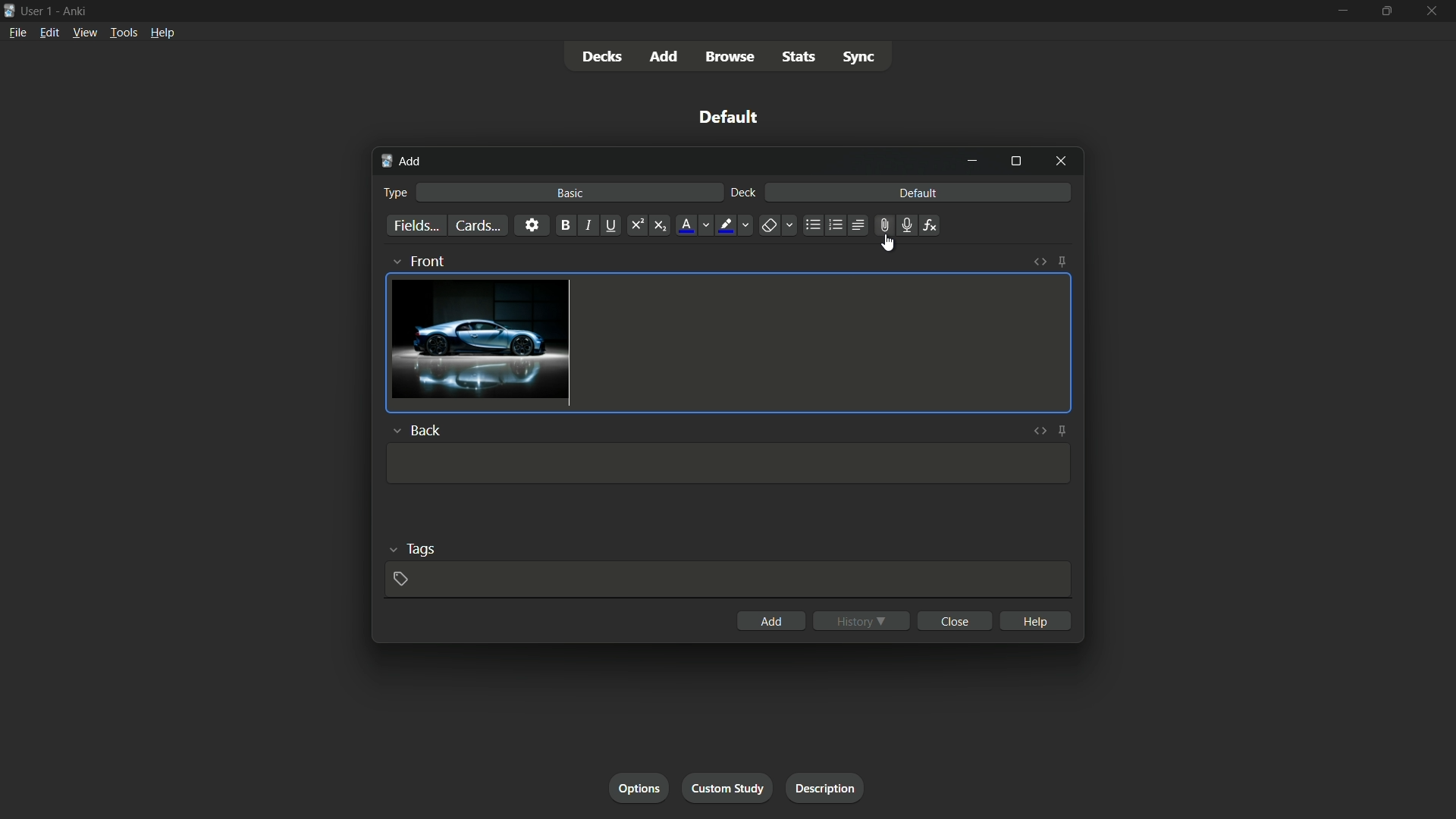 This screenshot has height=819, width=1456. I want to click on unordered list, so click(814, 225).